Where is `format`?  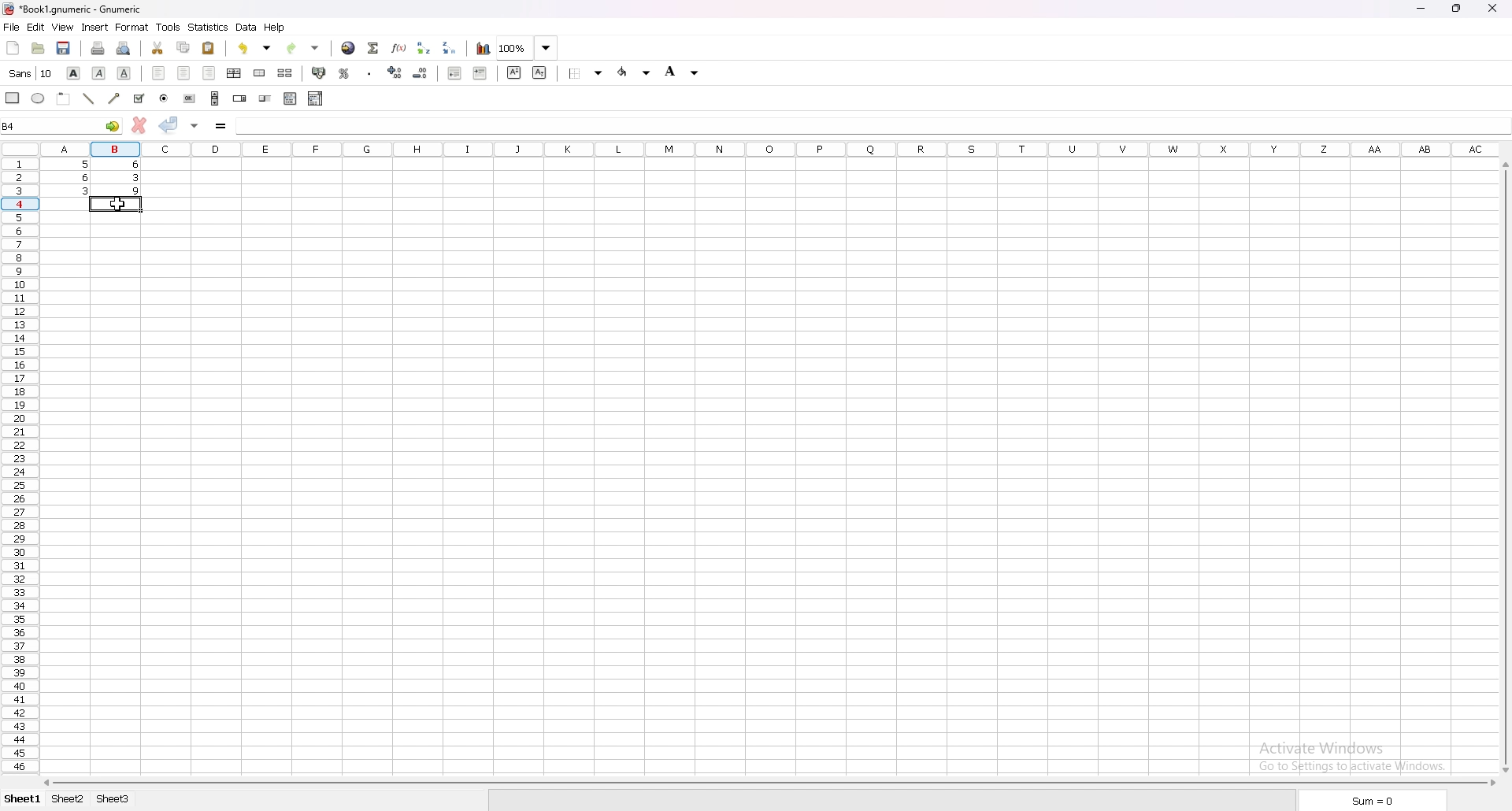 format is located at coordinates (132, 27).